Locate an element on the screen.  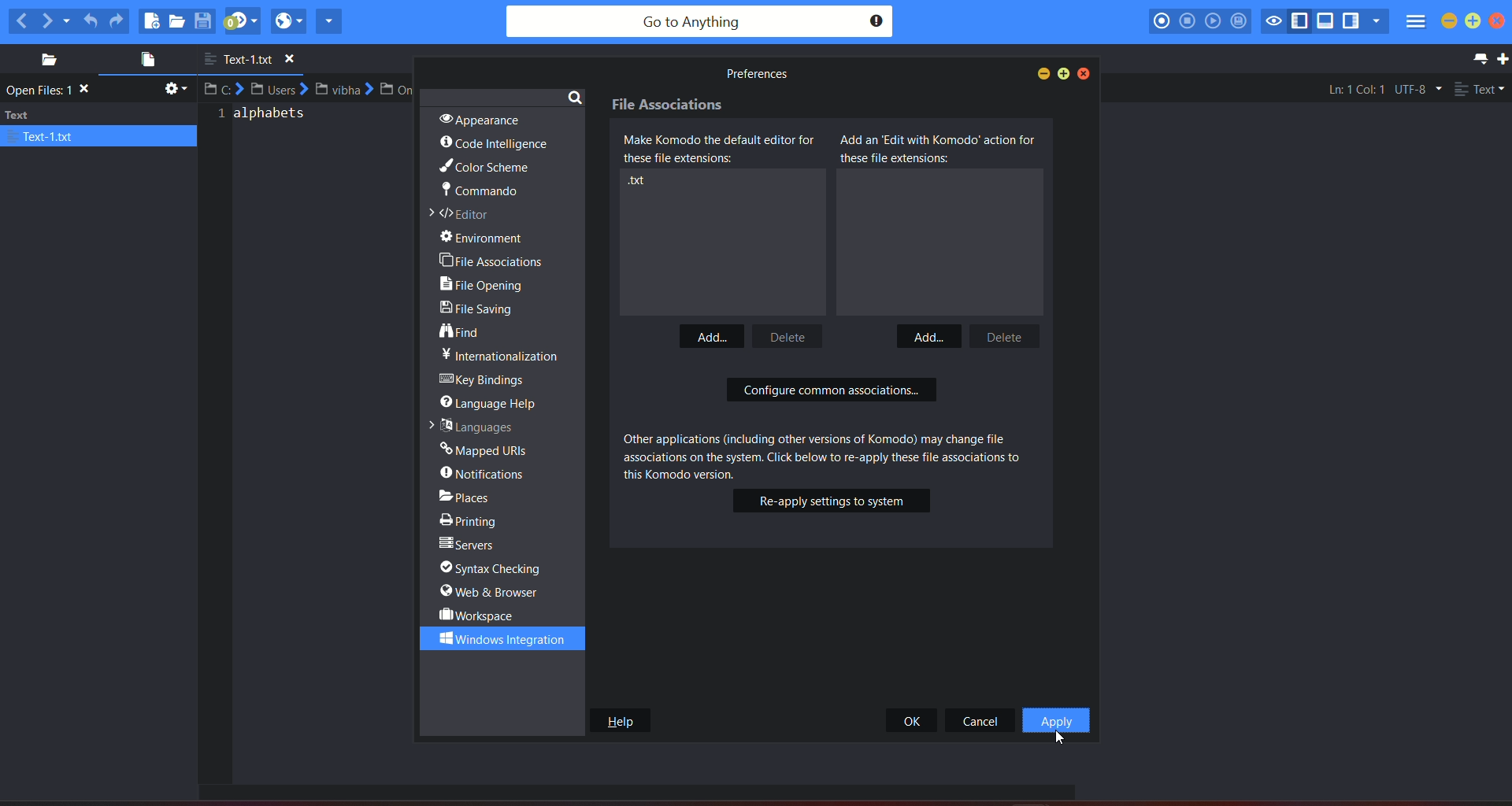
show/hide right pane is located at coordinates (1351, 23).